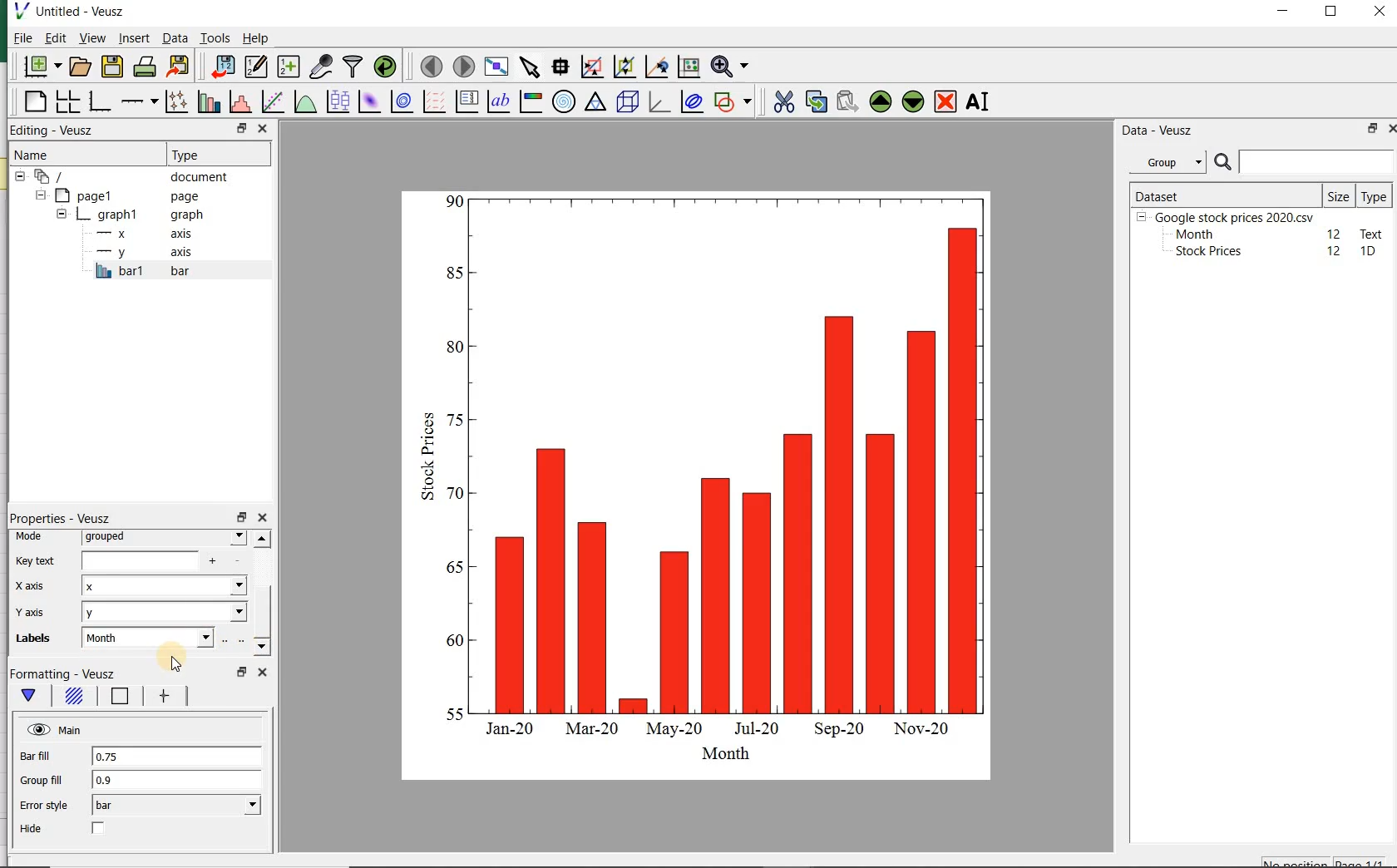 The width and height of the screenshot is (1397, 868). I want to click on blank page, so click(34, 104).